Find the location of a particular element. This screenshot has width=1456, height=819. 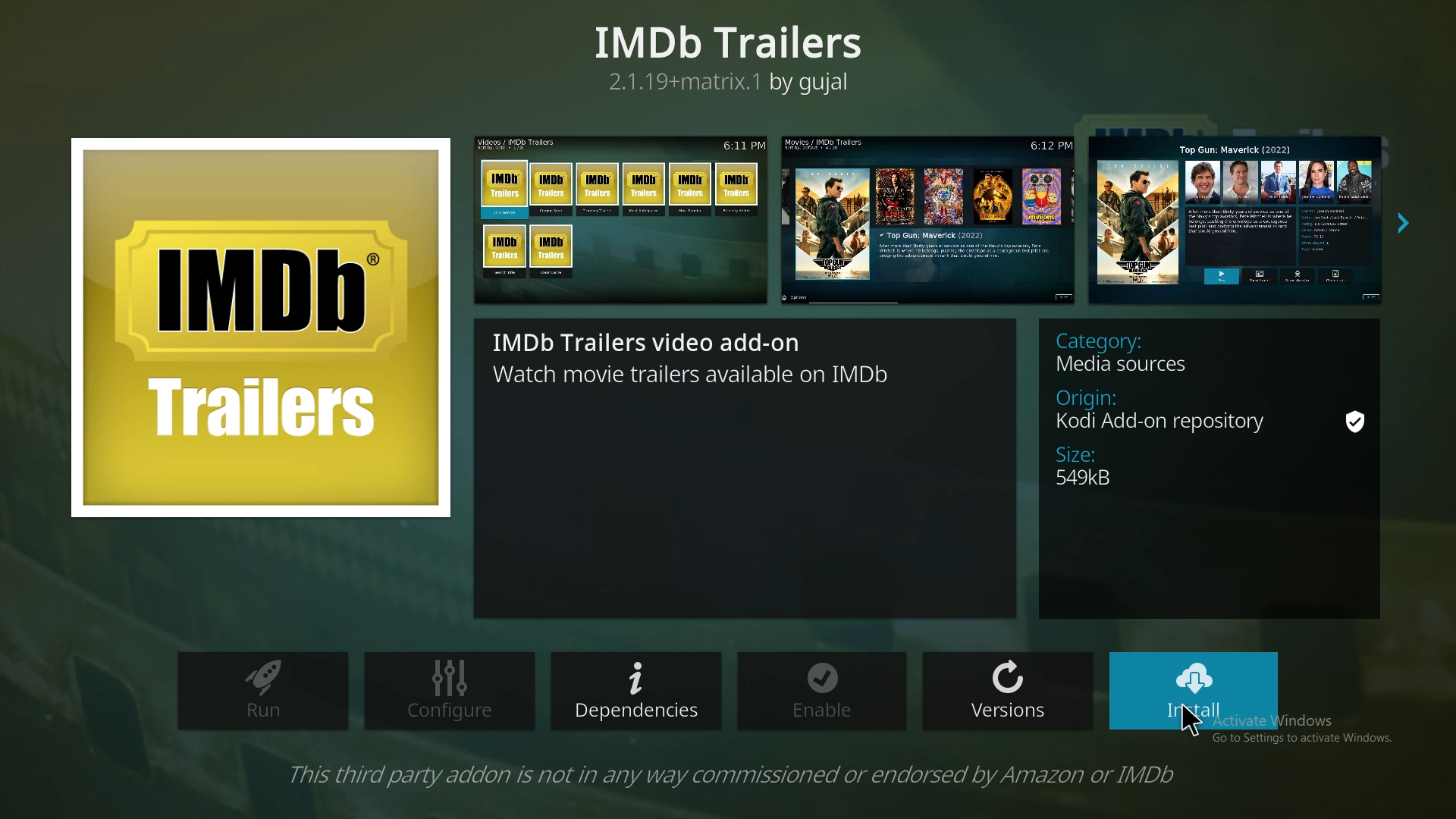

next is located at coordinates (1404, 224).